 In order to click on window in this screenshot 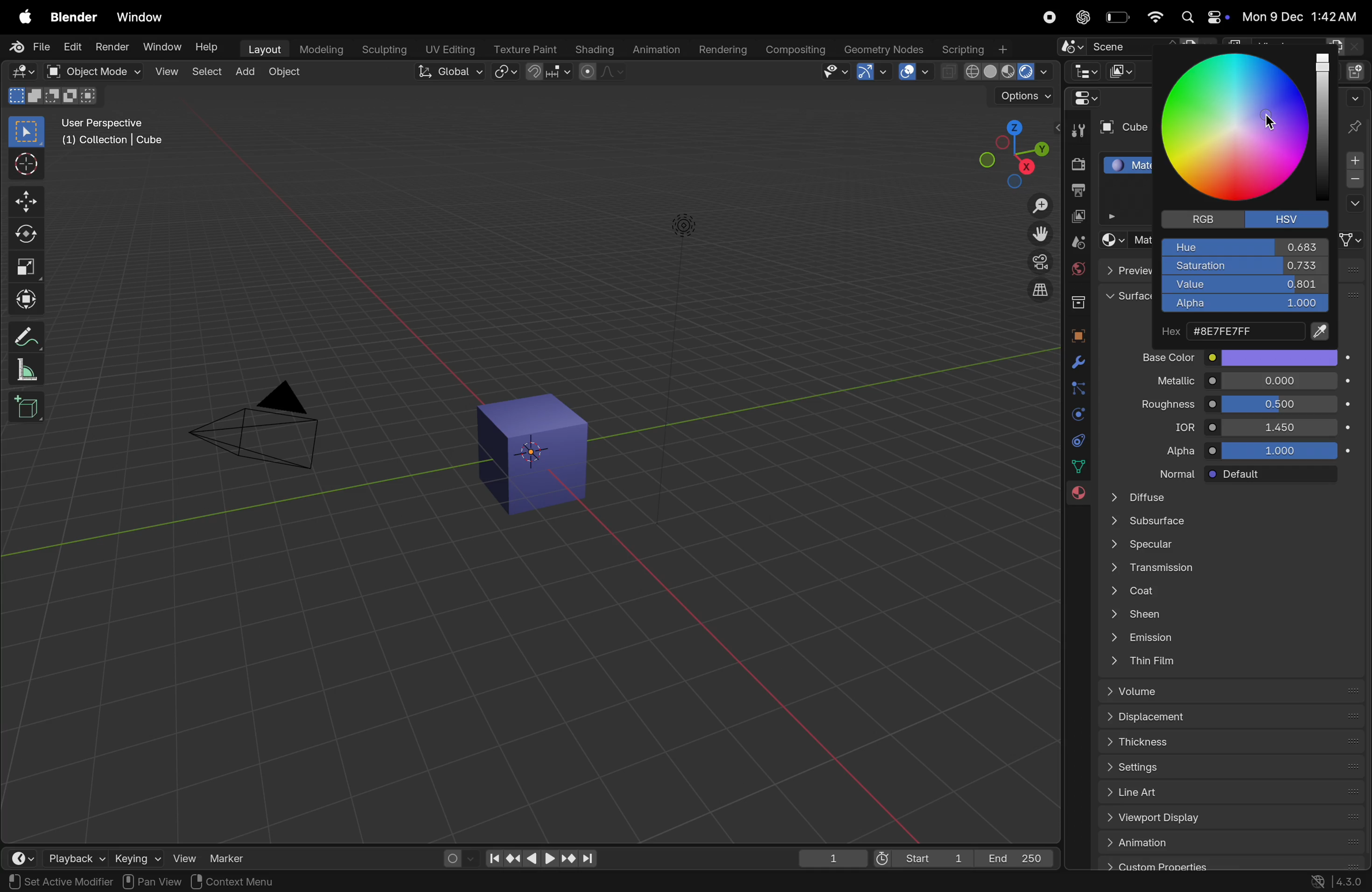, I will do `click(163, 48)`.